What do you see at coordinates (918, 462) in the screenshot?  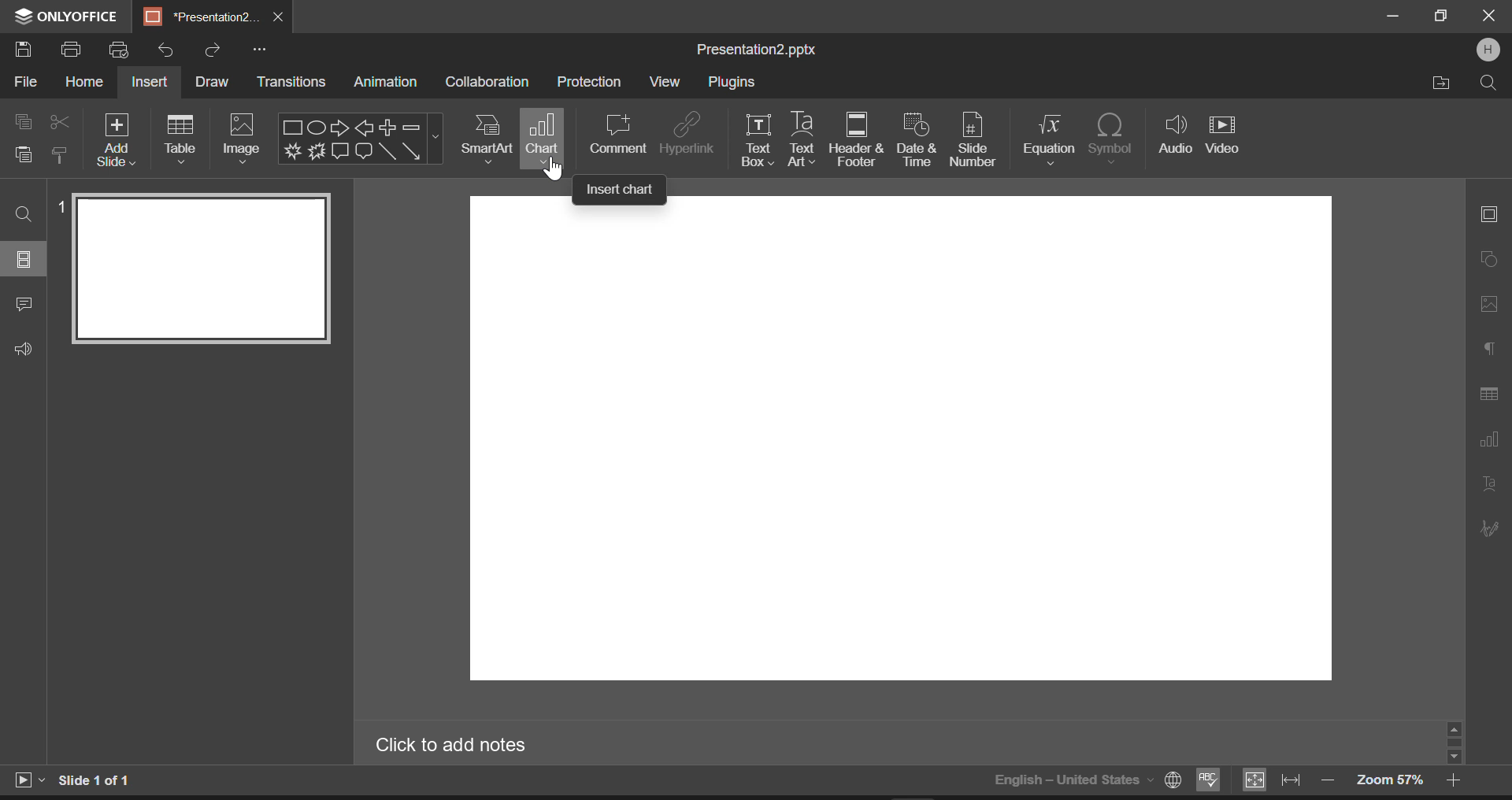 I see `Slide Workspace` at bounding box center [918, 462].